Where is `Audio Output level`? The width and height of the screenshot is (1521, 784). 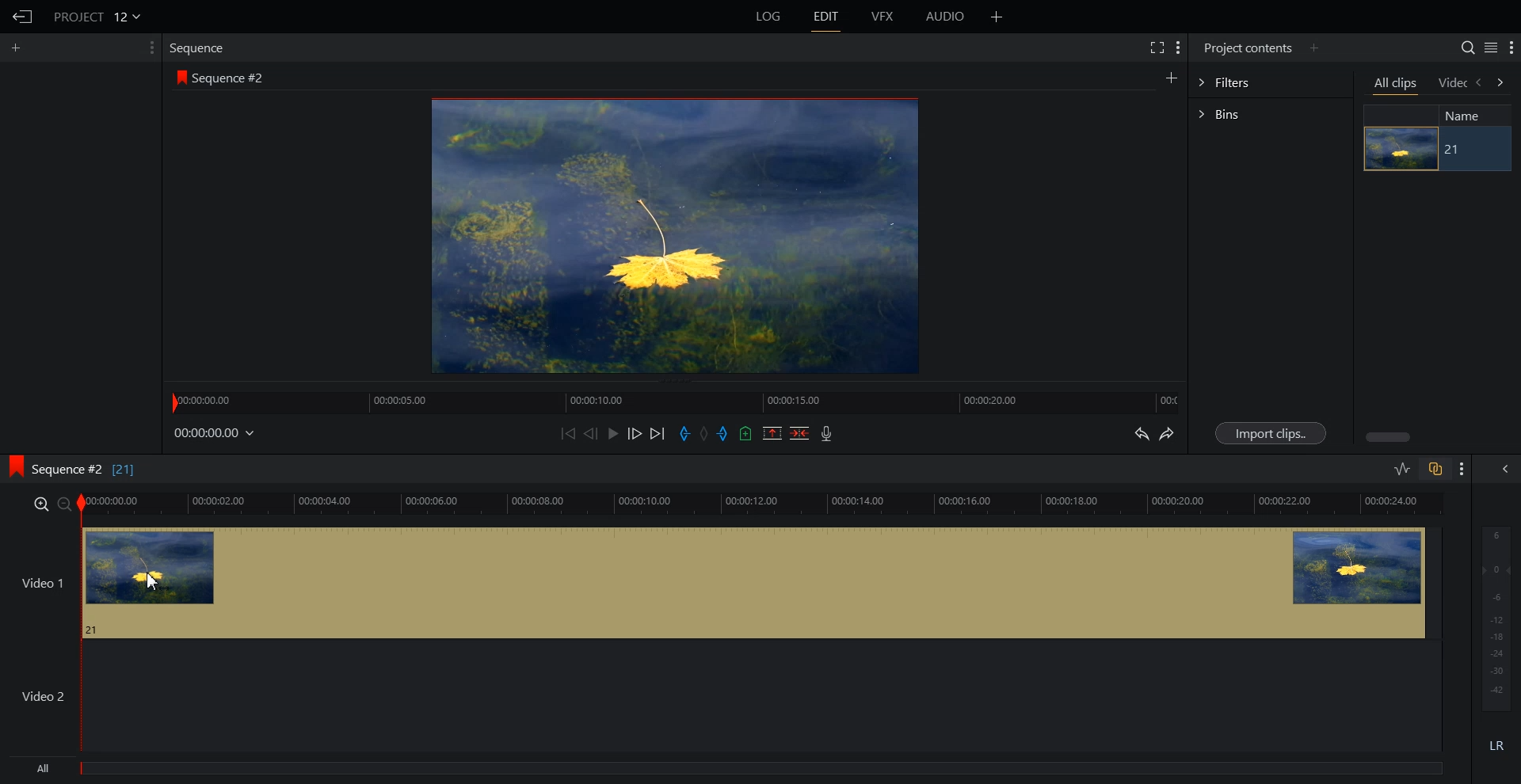 Audio Output level is located at coordinates (1494, 618).